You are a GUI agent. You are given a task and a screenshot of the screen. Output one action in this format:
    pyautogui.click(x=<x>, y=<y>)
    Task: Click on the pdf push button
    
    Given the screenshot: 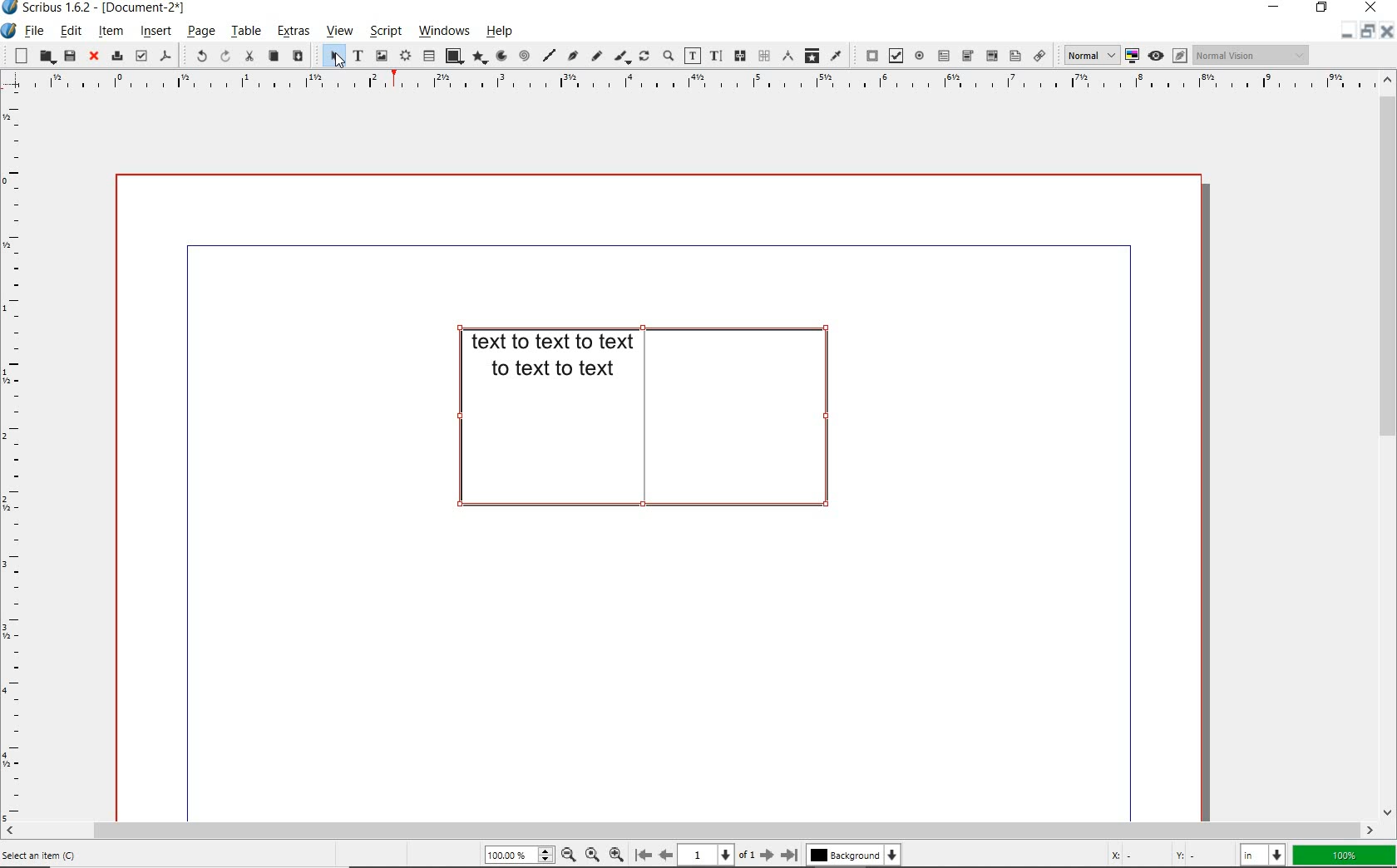 What is the action you would take?
    pyautogui.click(x=866, y=55)
    